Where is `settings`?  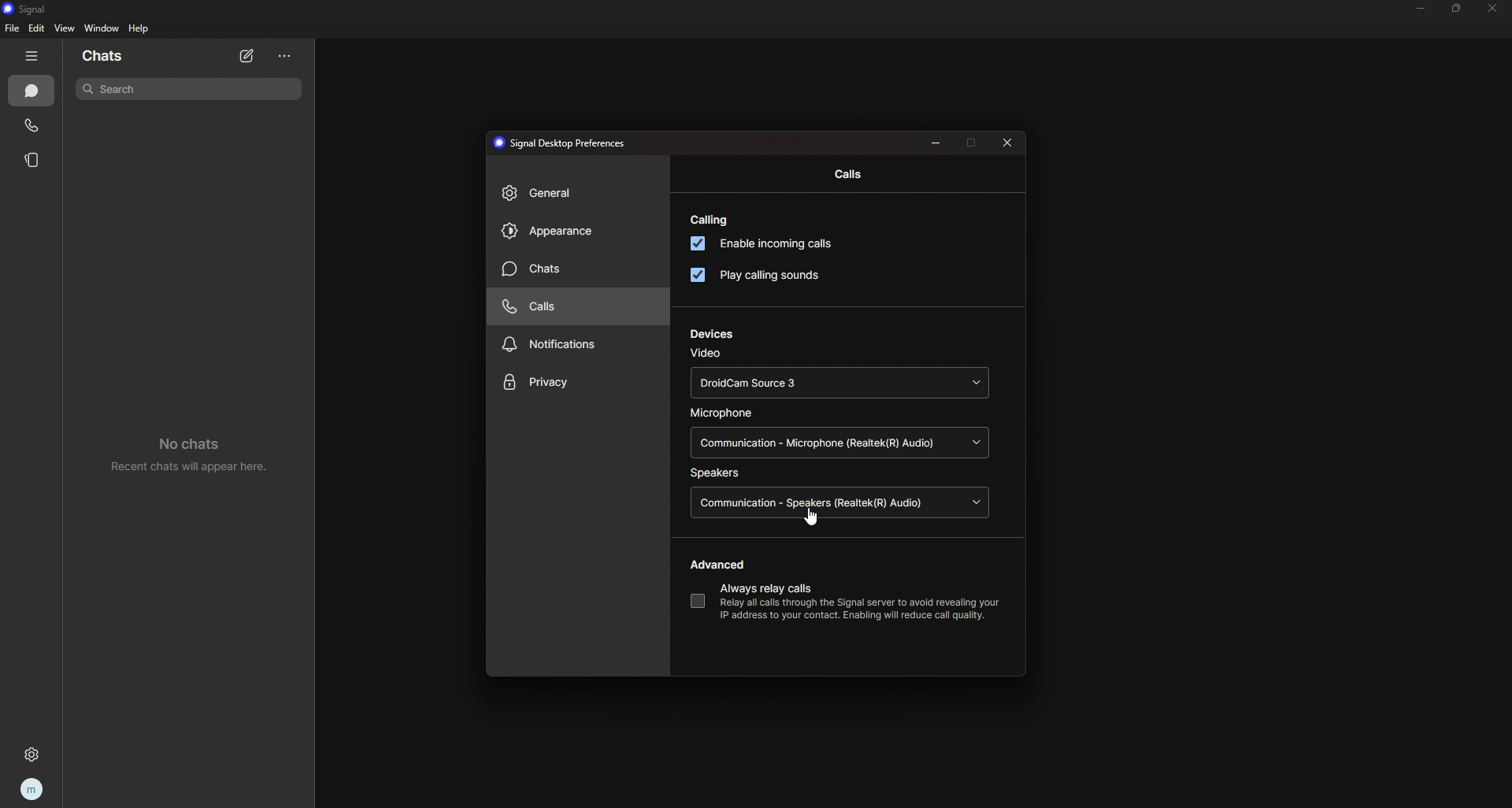 settings is located at coordinates (35, 755).